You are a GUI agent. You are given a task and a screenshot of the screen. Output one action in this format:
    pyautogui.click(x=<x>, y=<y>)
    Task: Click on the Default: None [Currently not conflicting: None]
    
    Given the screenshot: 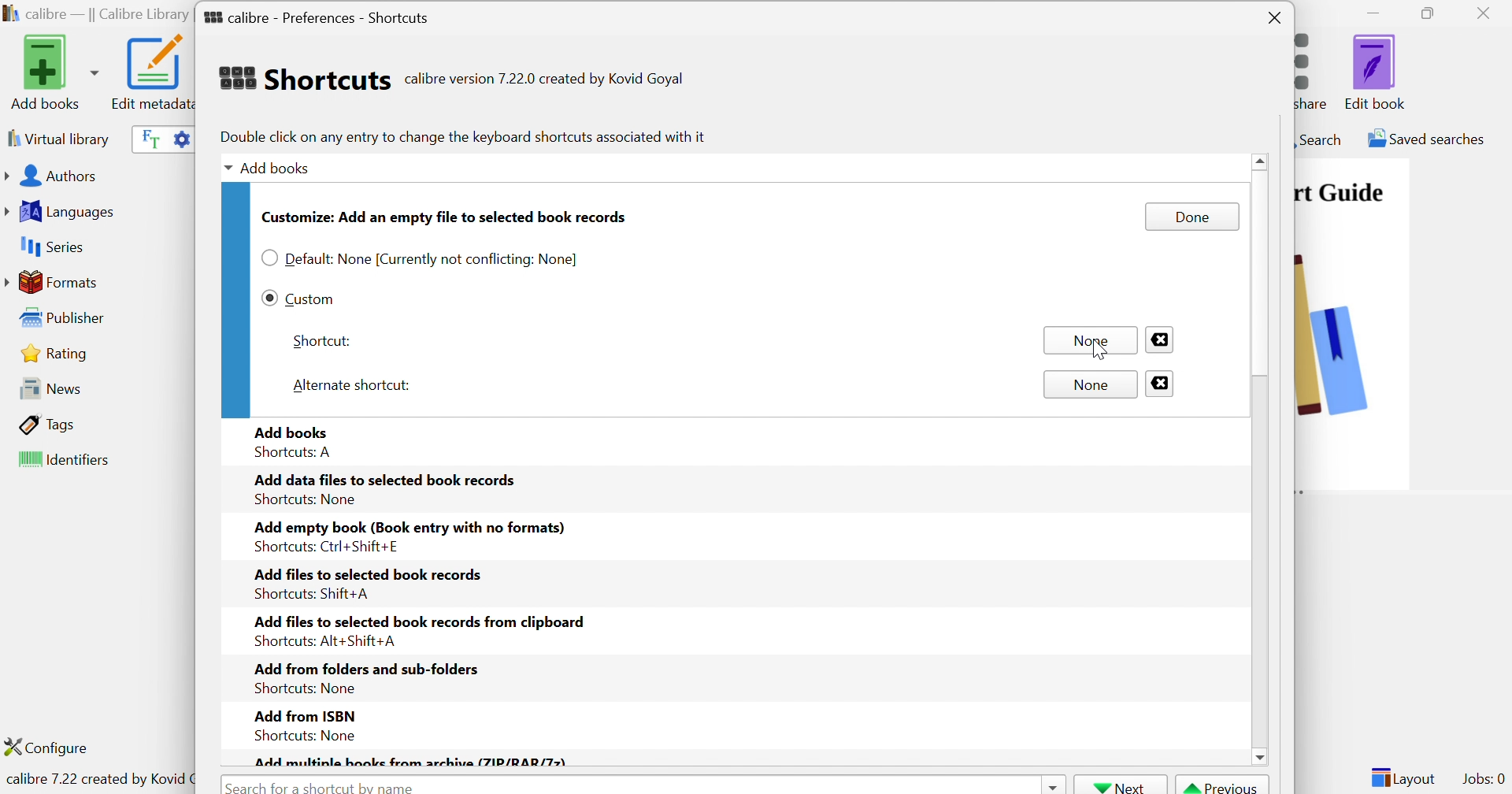 What is the action you would take?
    pyautogui.click(x=434, y=260)
    